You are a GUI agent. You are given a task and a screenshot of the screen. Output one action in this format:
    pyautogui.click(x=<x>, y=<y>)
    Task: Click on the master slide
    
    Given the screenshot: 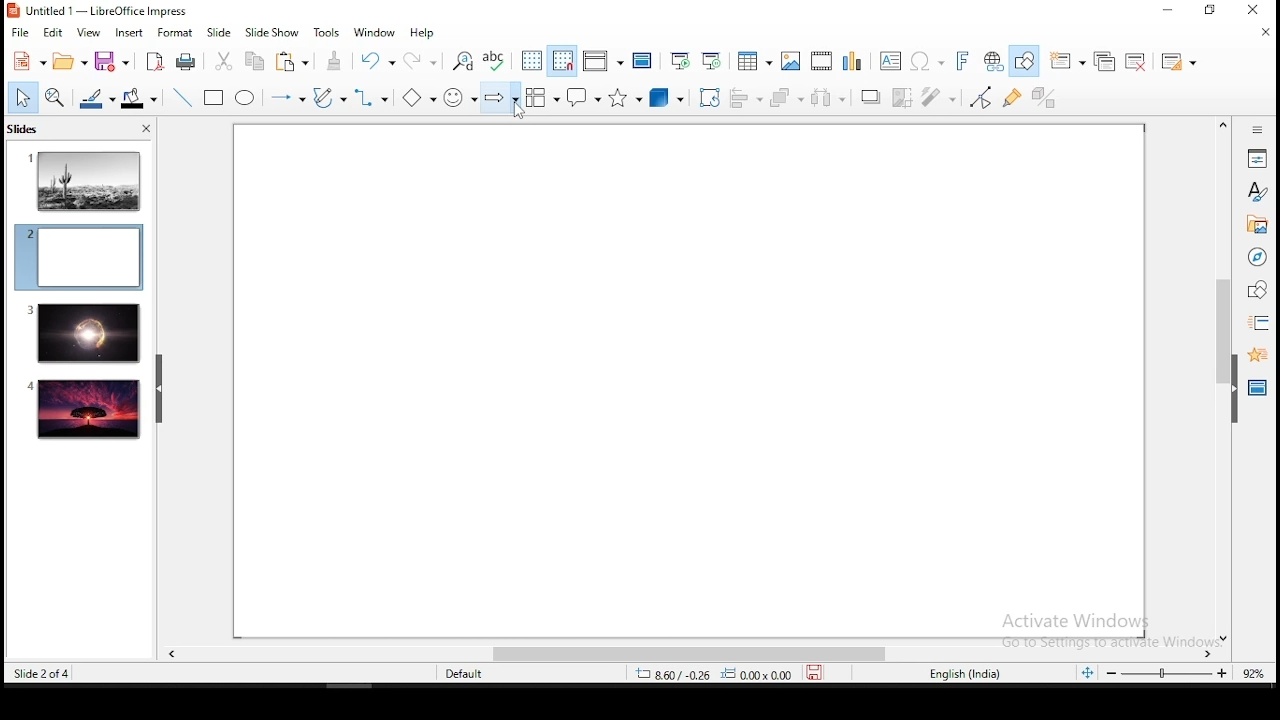 What is the action you would take?
    pyautogui.click(x=642, y=60)
    